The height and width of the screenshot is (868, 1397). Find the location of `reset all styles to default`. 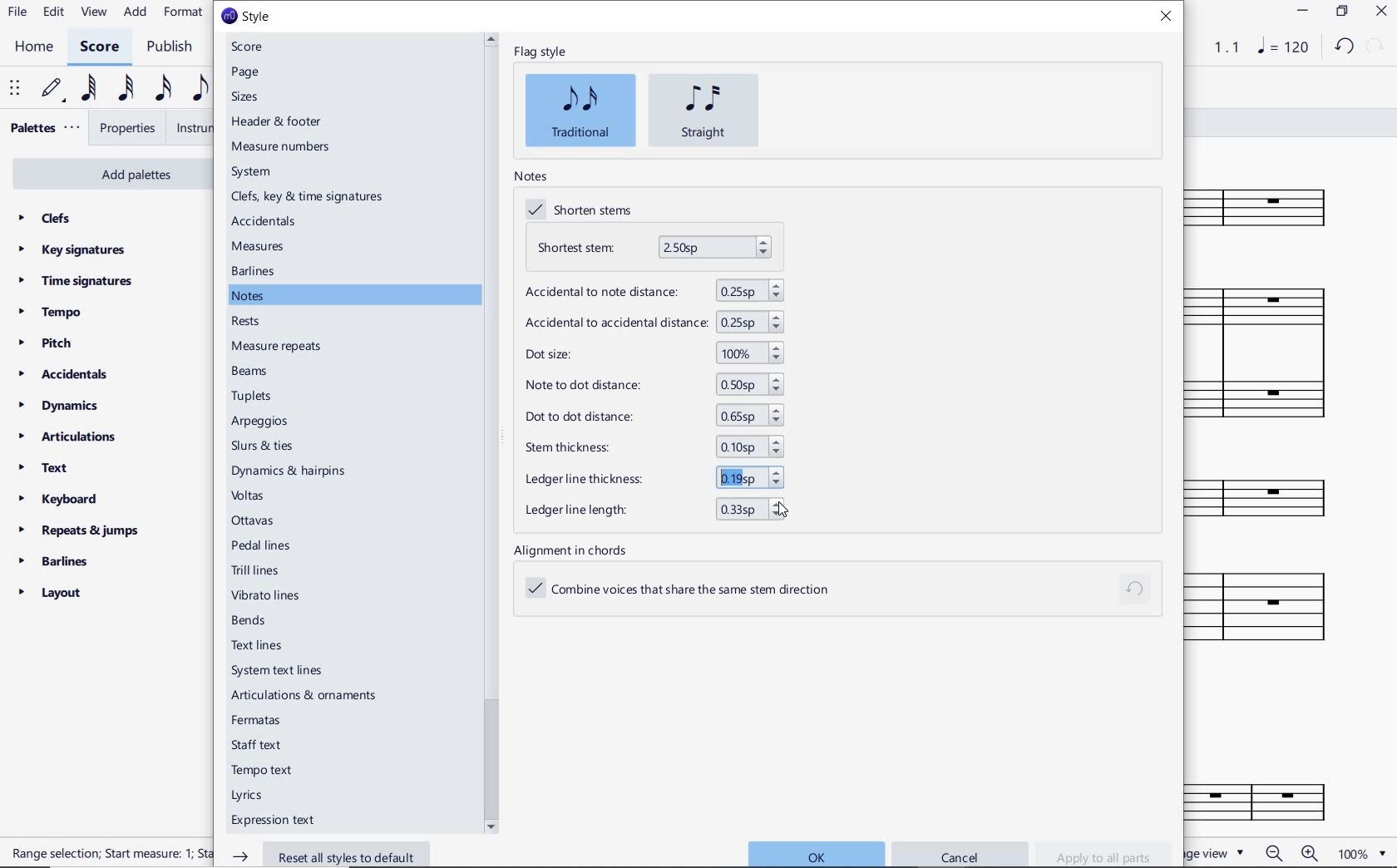

reset all styles to default is located at coordinates (327, 855).